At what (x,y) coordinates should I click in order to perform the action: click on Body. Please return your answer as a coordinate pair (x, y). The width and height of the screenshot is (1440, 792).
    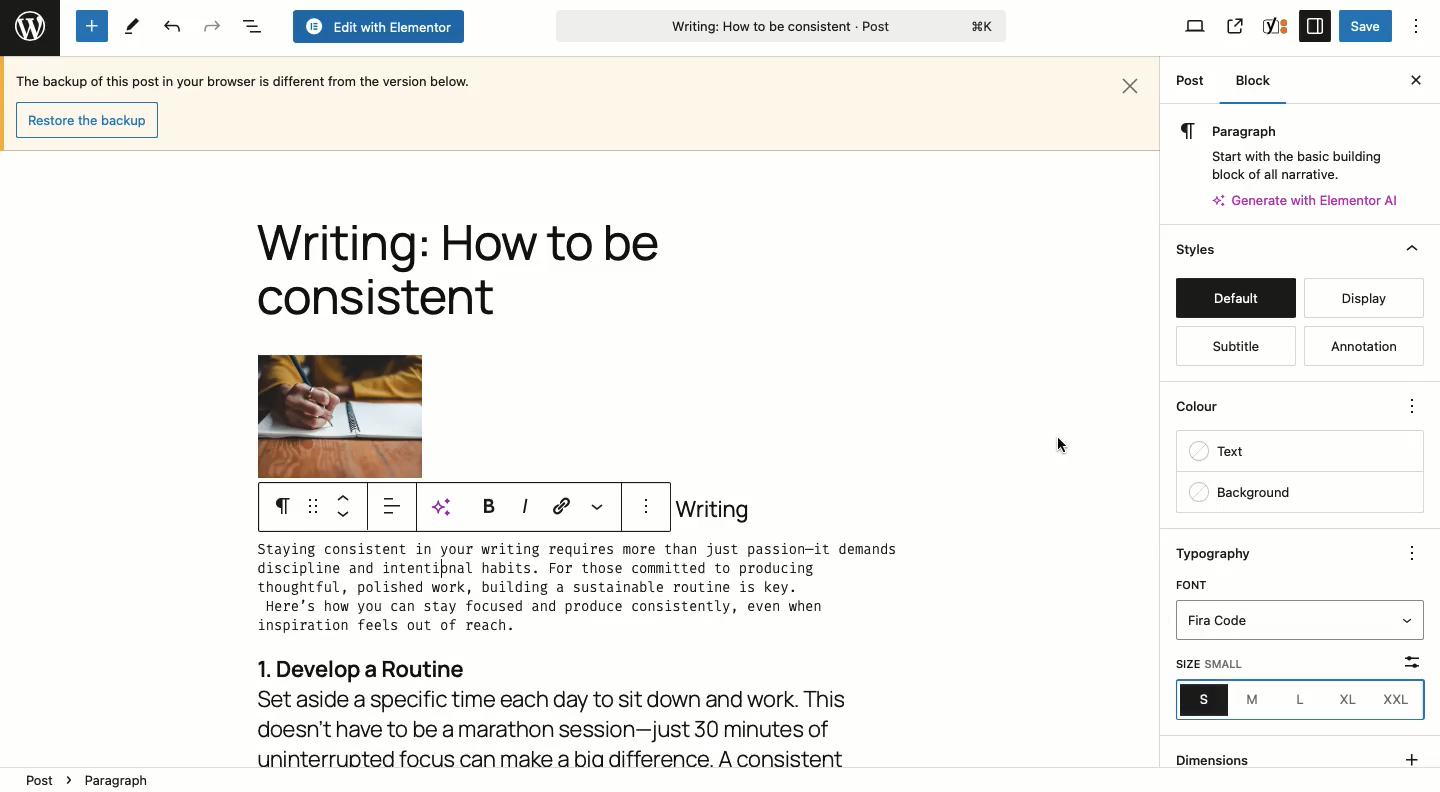
    Looking at the image, I should click on (600, 707).